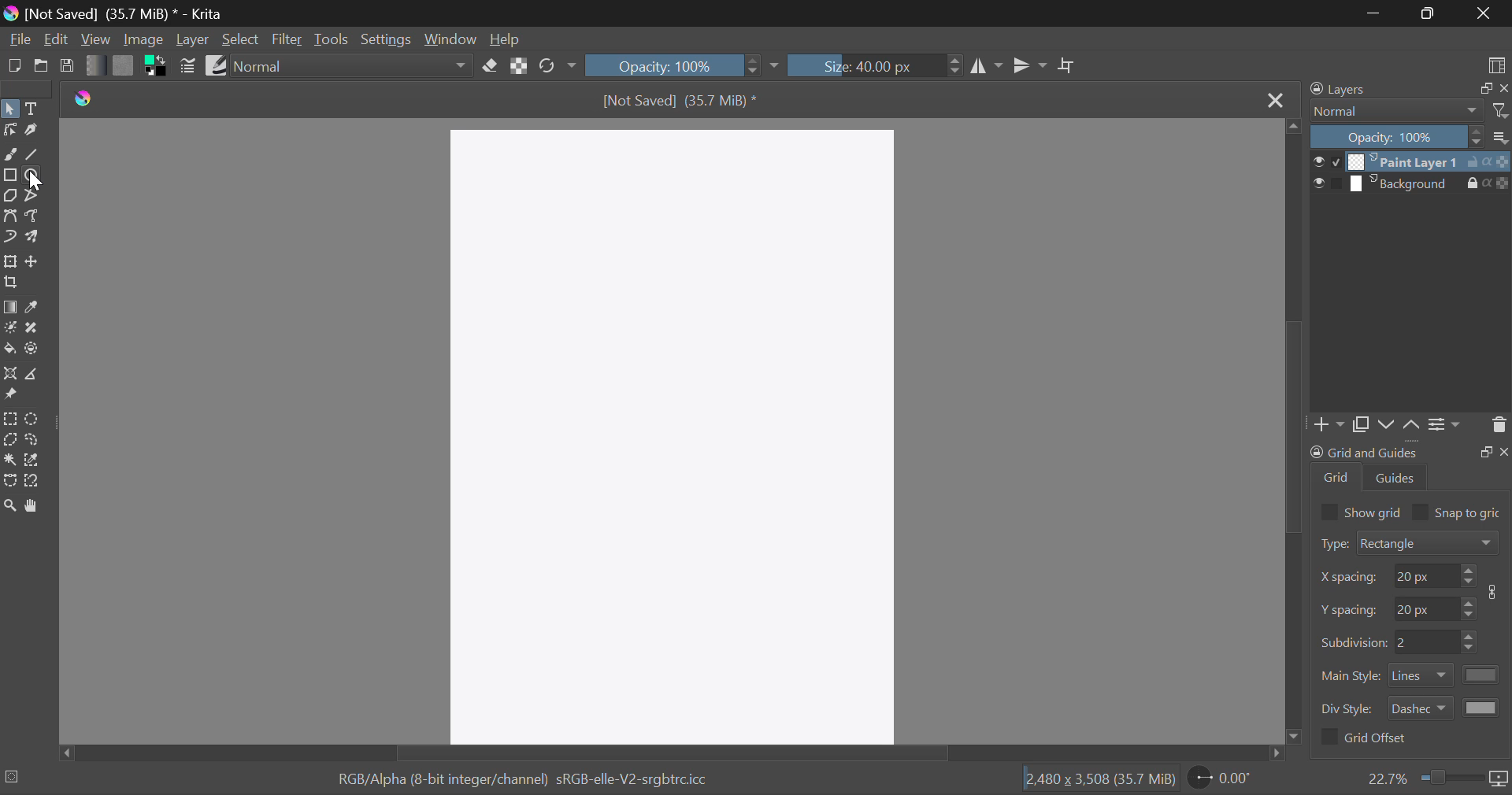  I want to click on View, so click(96, 41).